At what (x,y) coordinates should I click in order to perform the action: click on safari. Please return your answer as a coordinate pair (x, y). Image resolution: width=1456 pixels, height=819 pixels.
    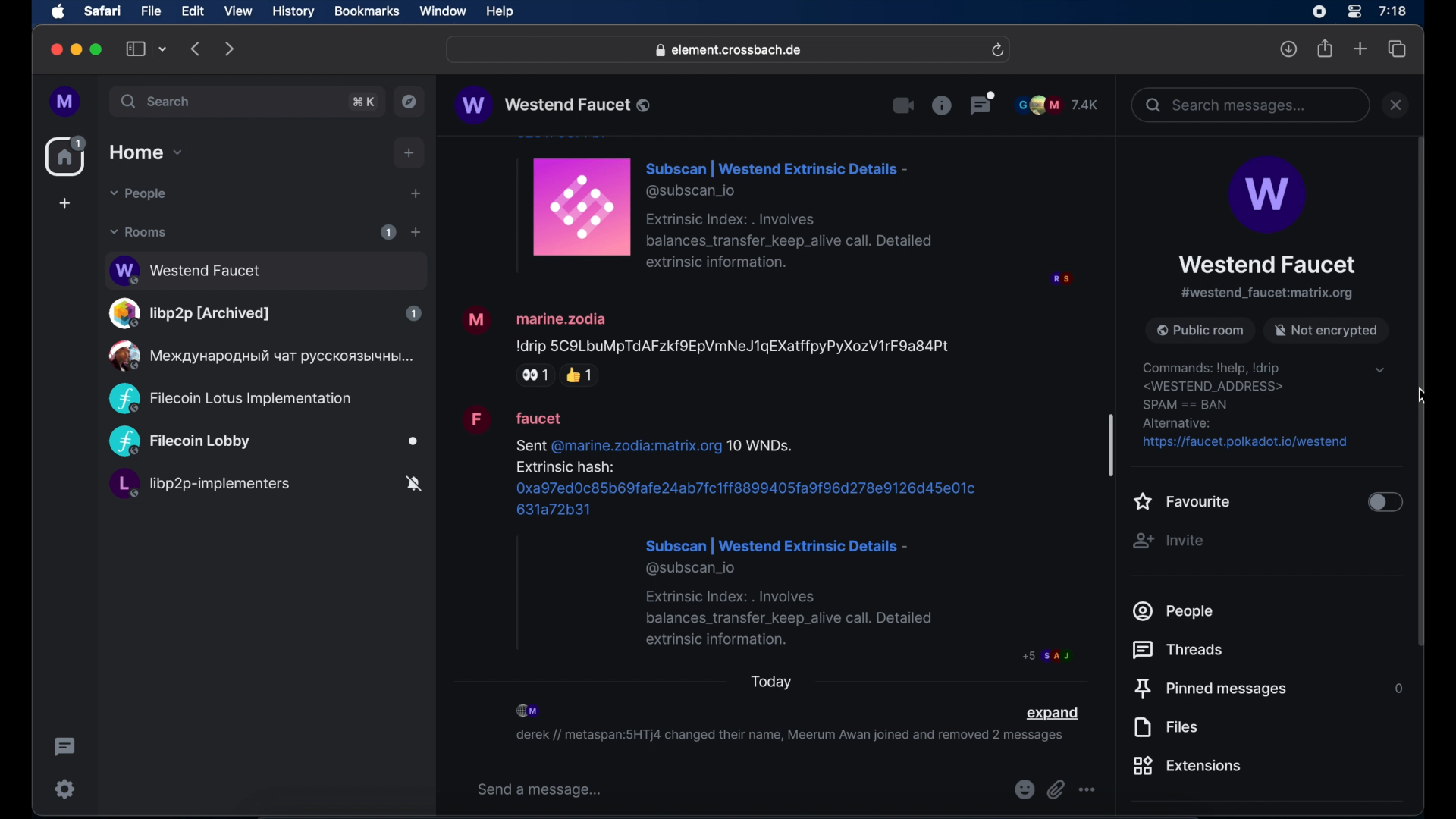
    Looking at the image, I should click on (102, 11).